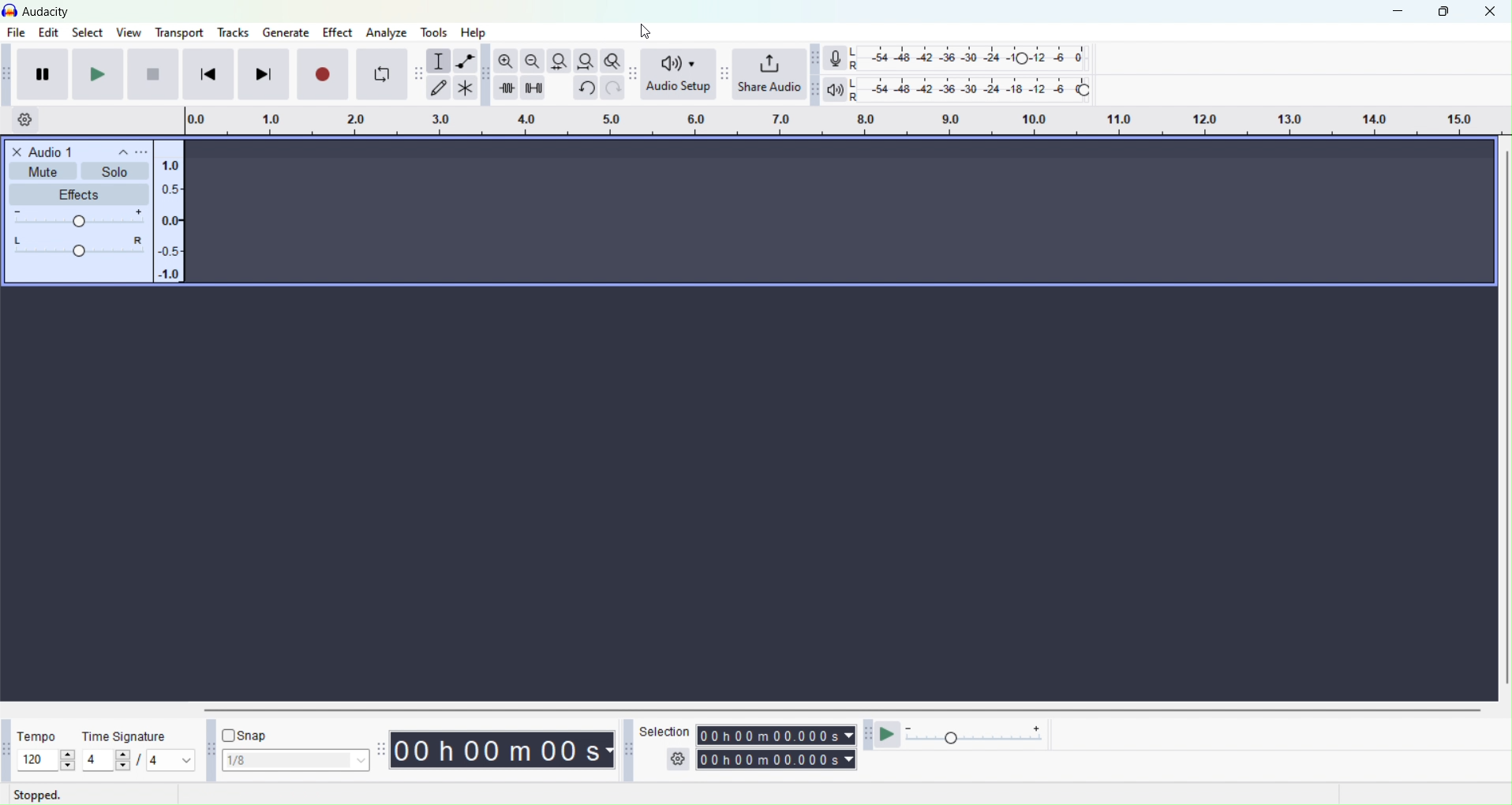 This screenshot has width=1512, height=805. I want to click on Envelop tool, so click(462, 59).